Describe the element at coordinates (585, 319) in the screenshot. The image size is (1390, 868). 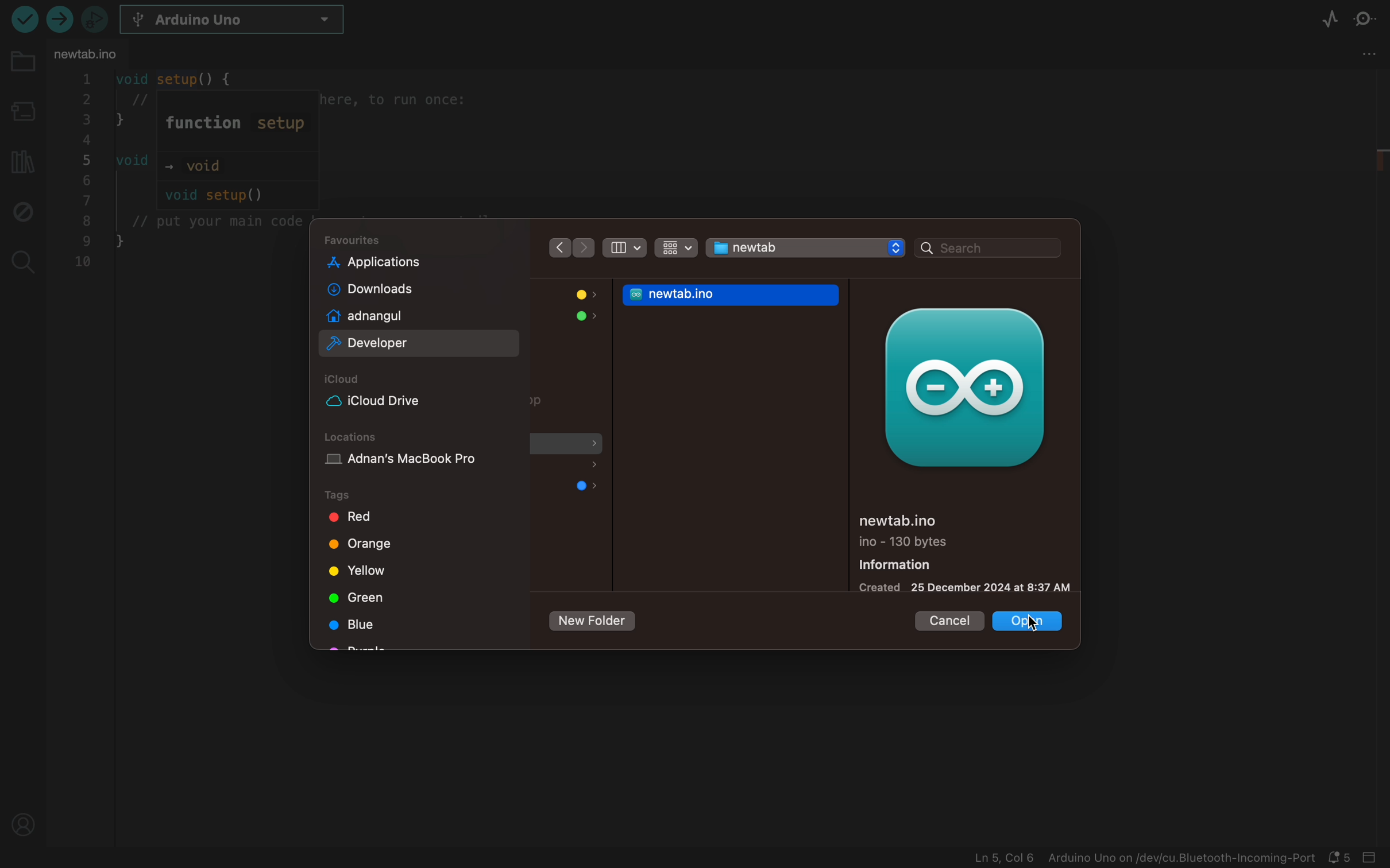
I see `colors` at that location.